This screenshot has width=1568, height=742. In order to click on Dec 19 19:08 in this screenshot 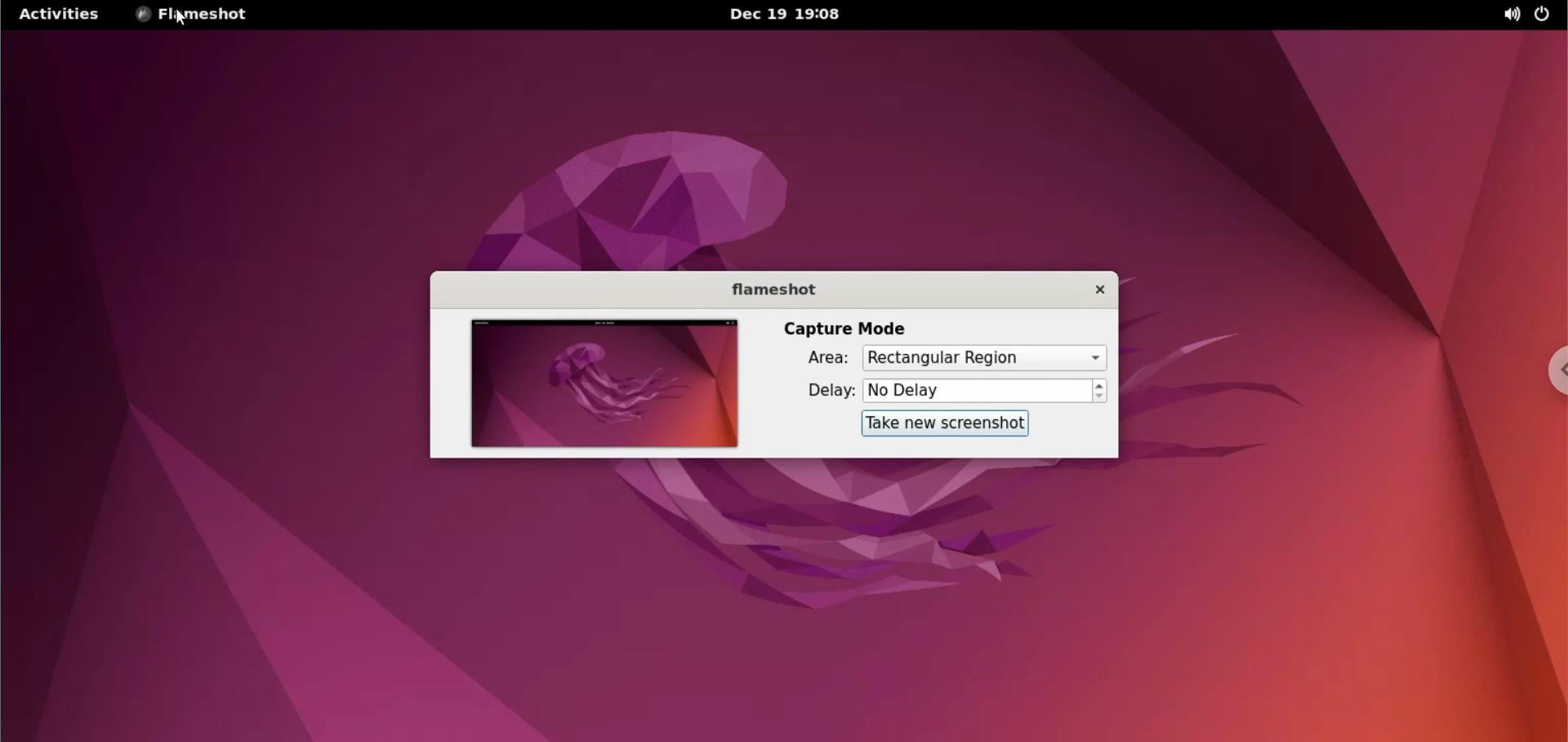, I will do `click(790, 13)`.